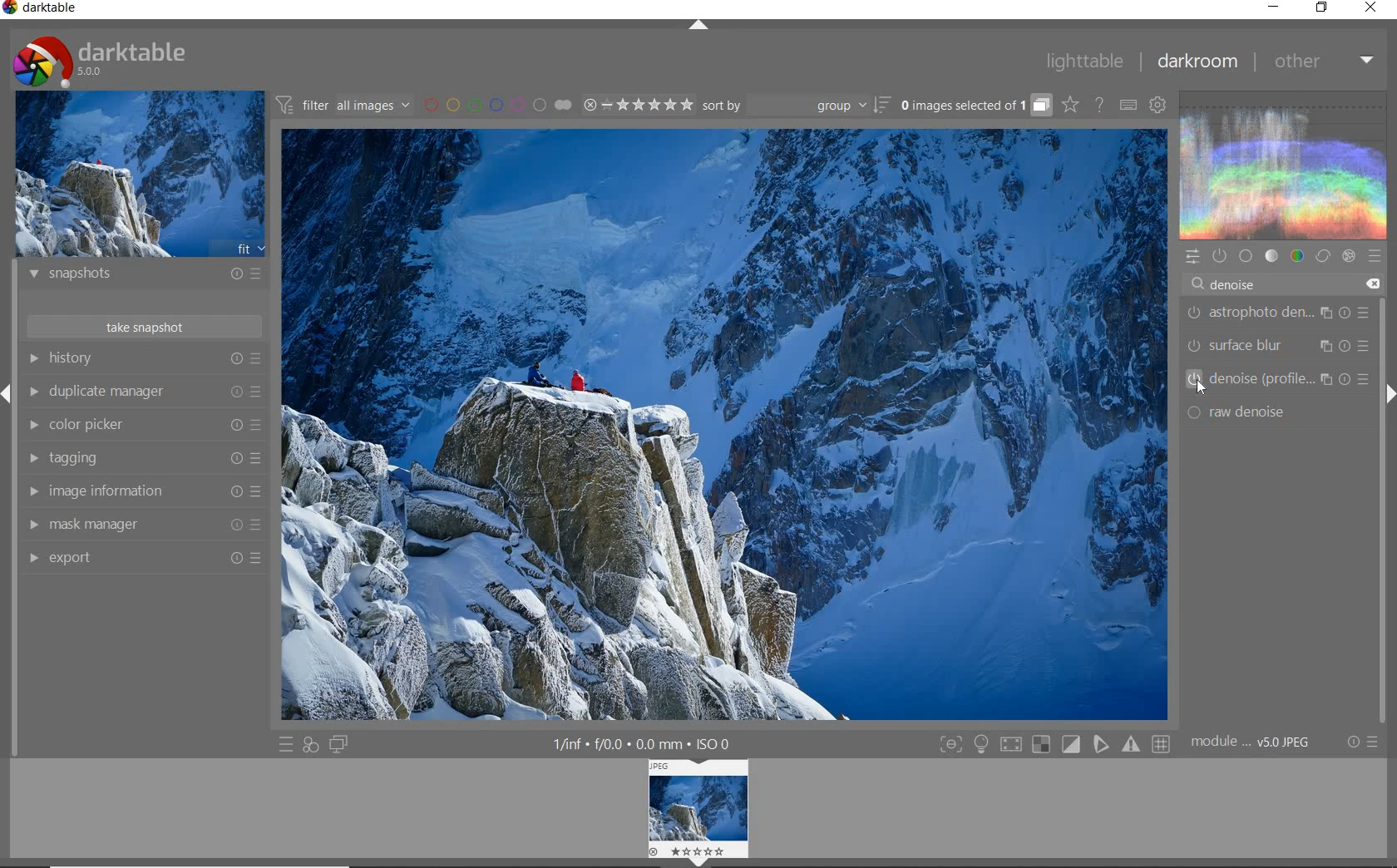 This screenshot has width=1397, height=868. What do you see at coordinates (139, 173) in the screenshot?
I see `image preview` at bounding box center [139, 173].